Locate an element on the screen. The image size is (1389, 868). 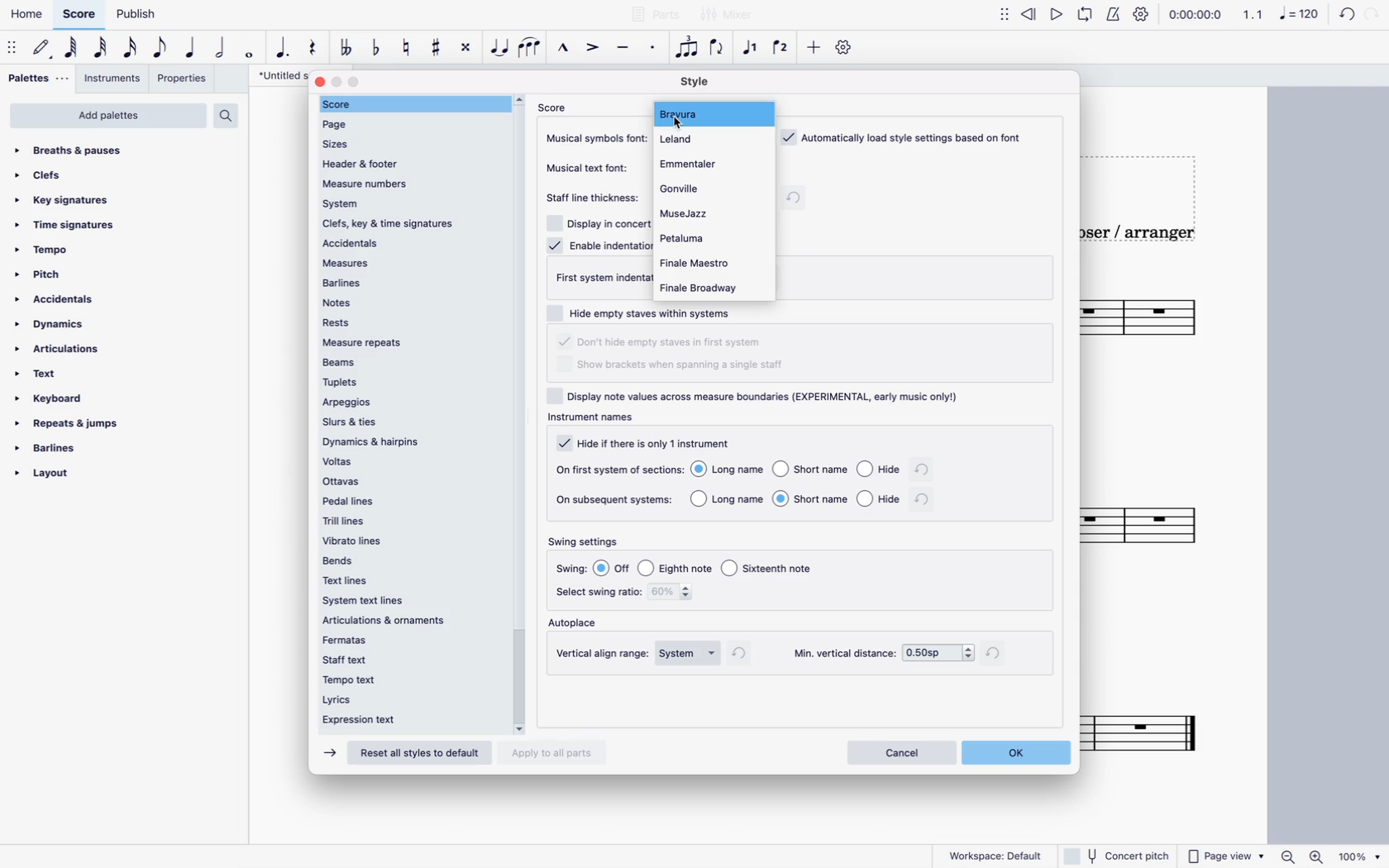
slur is located at coordinates (531, 50).